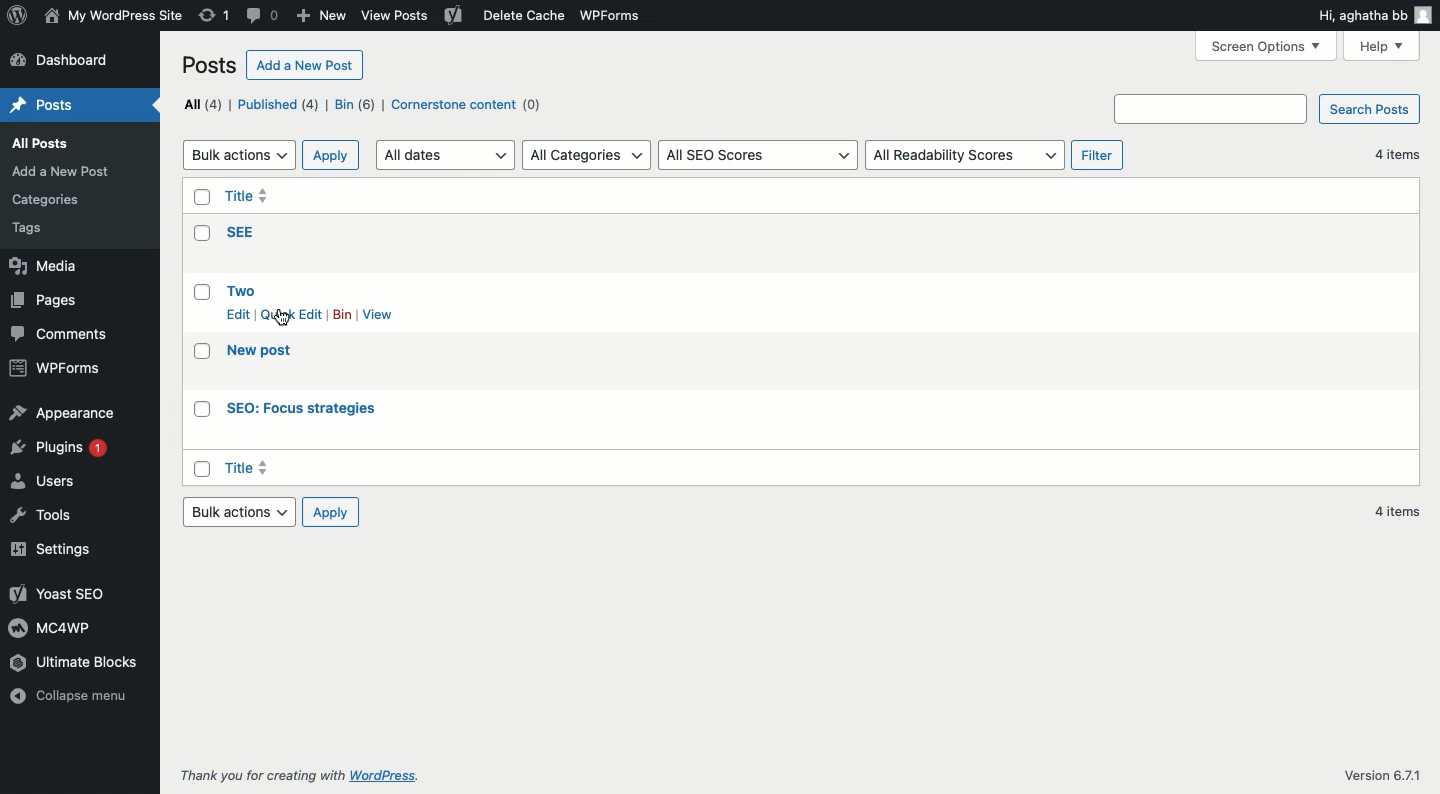  What do you see at coordinates (1375, 16) in the screenshot?
I see `Hi user` at bounding box center [1375, 16].